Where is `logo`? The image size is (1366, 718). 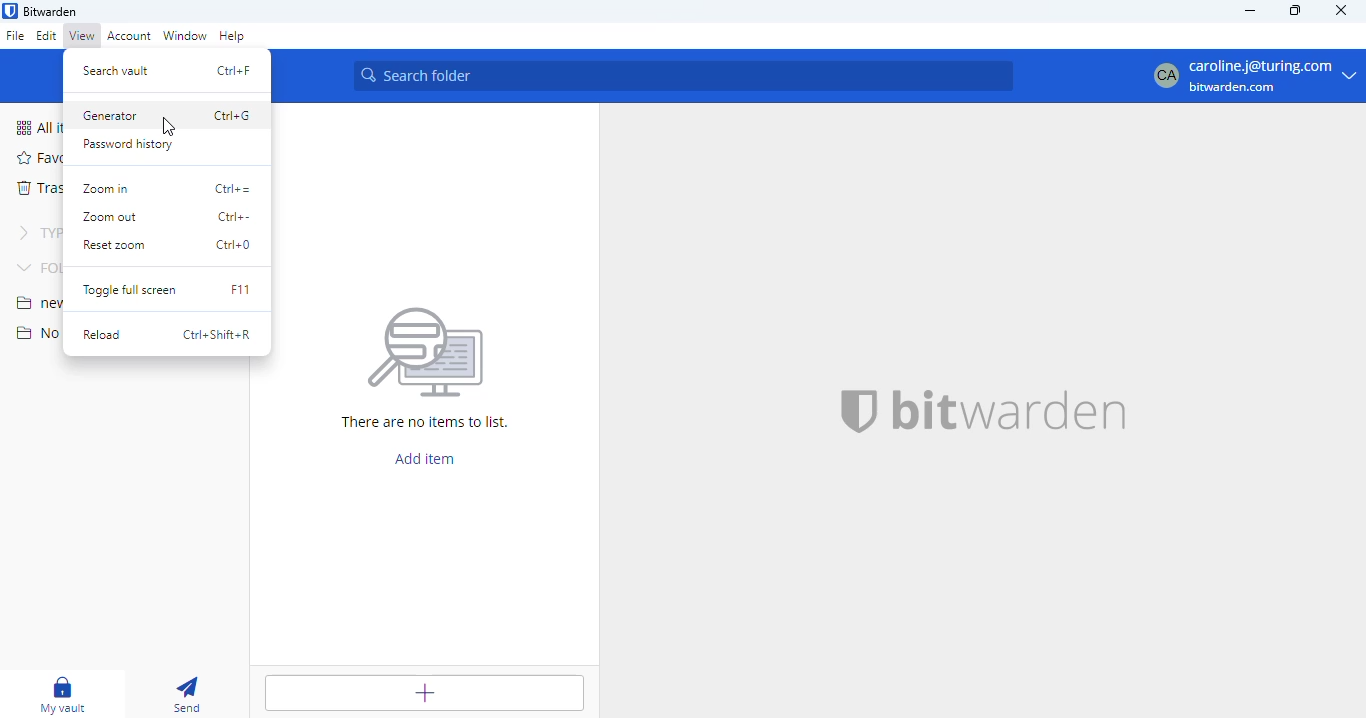 logo is located at coordinates (10, 10).